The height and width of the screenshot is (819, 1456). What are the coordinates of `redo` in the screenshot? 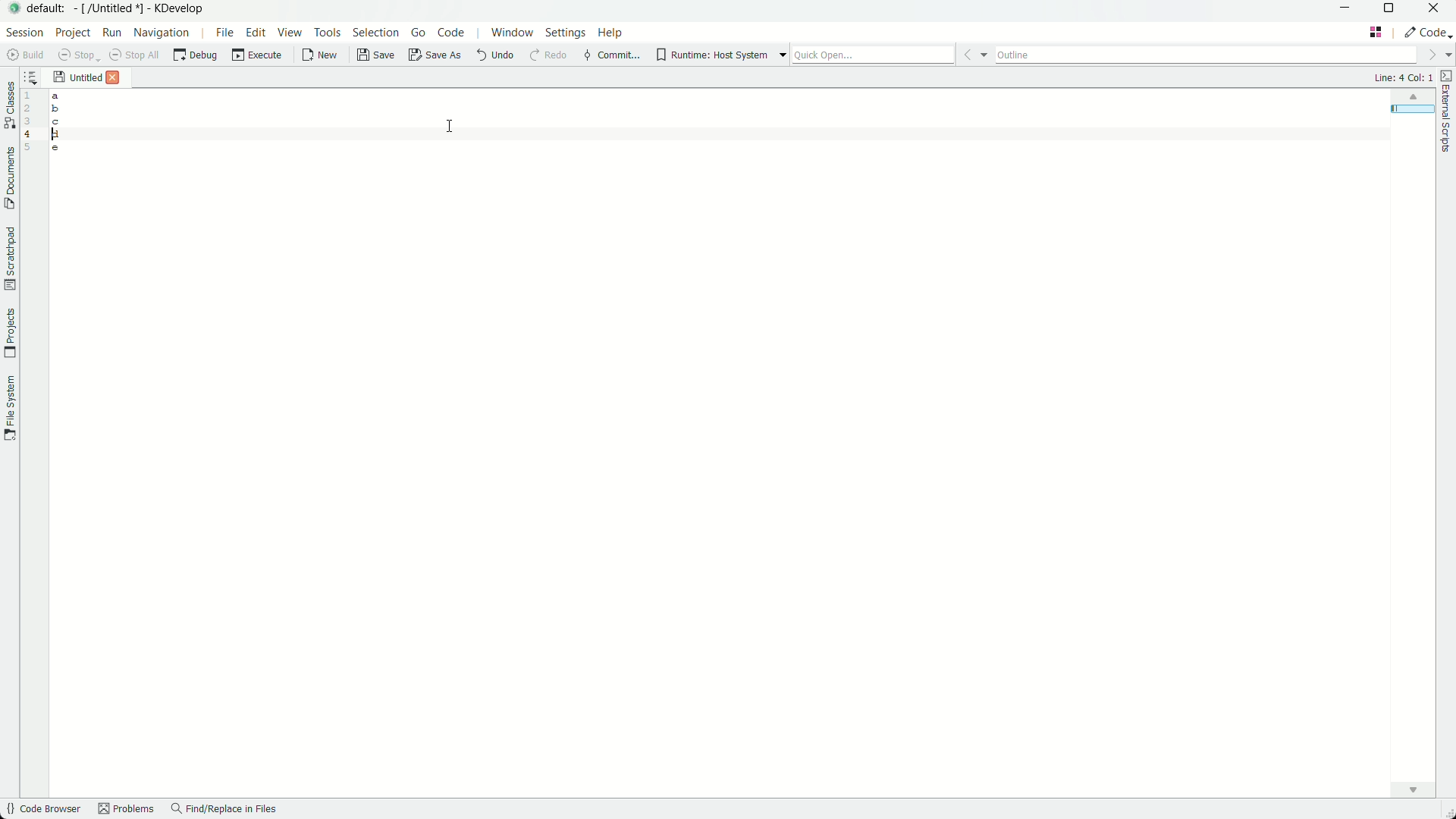 It's located at (548, 57).